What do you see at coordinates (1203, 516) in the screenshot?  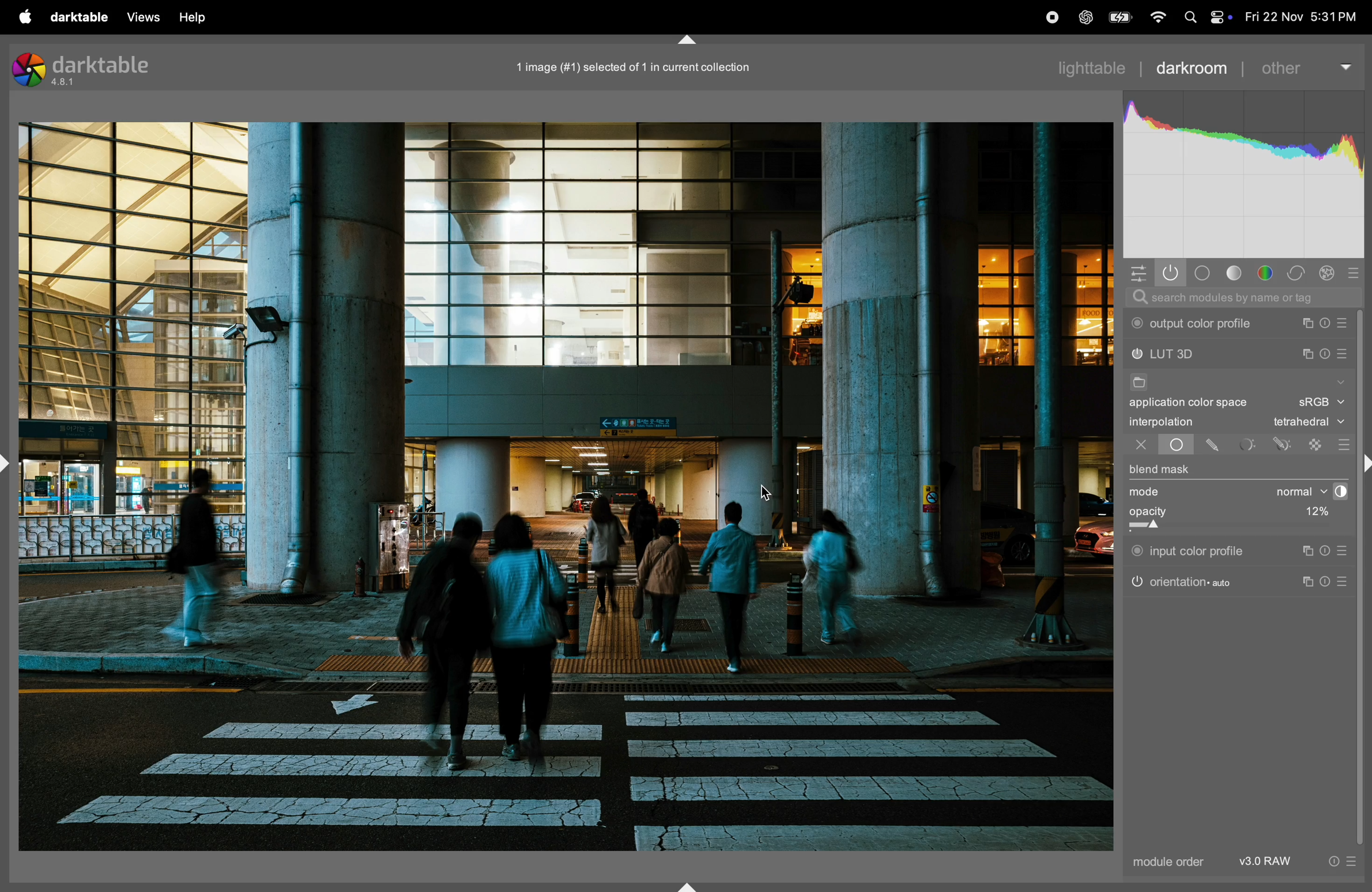 I see `opacity` at bounding box center [1203, 516].